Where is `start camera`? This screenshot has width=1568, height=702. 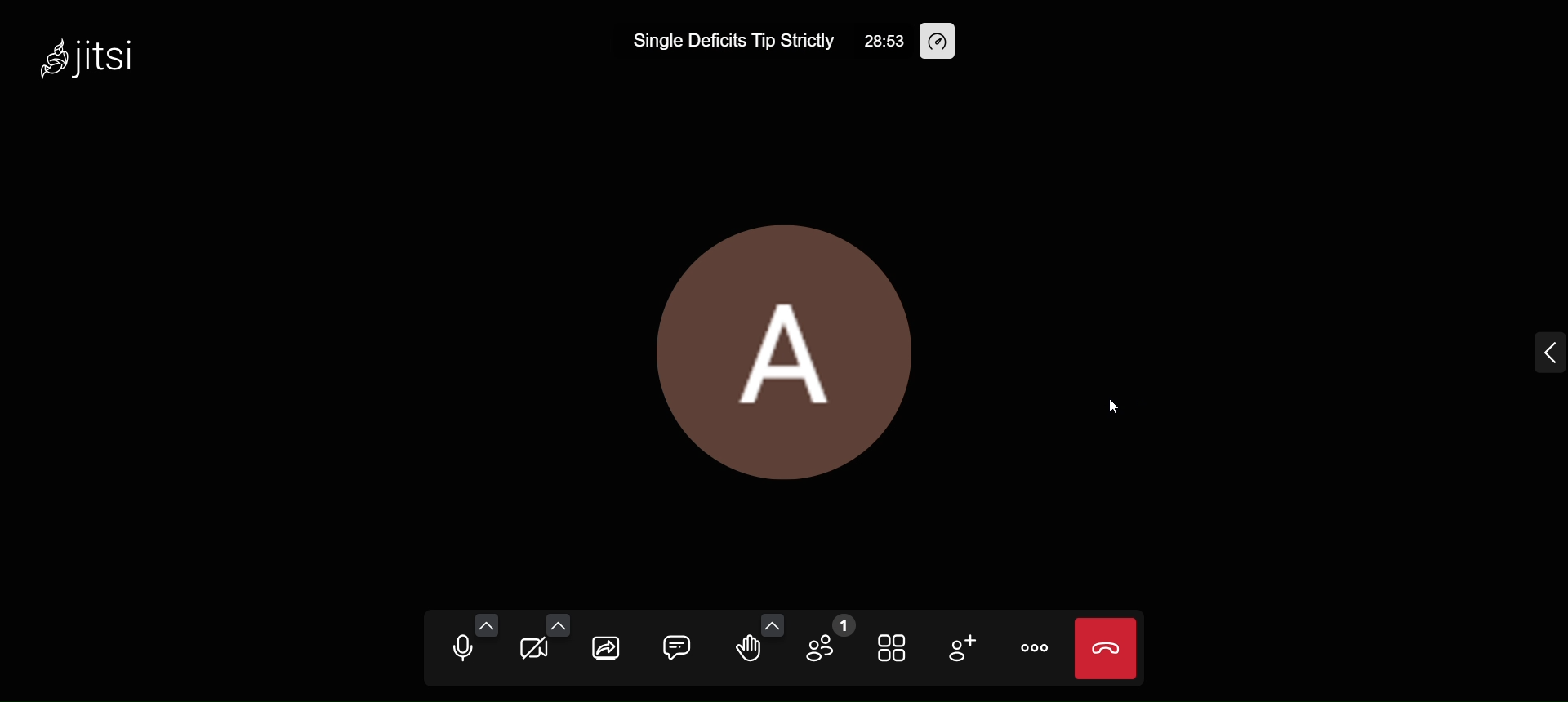 start camera is located at coordinates (531, 653).